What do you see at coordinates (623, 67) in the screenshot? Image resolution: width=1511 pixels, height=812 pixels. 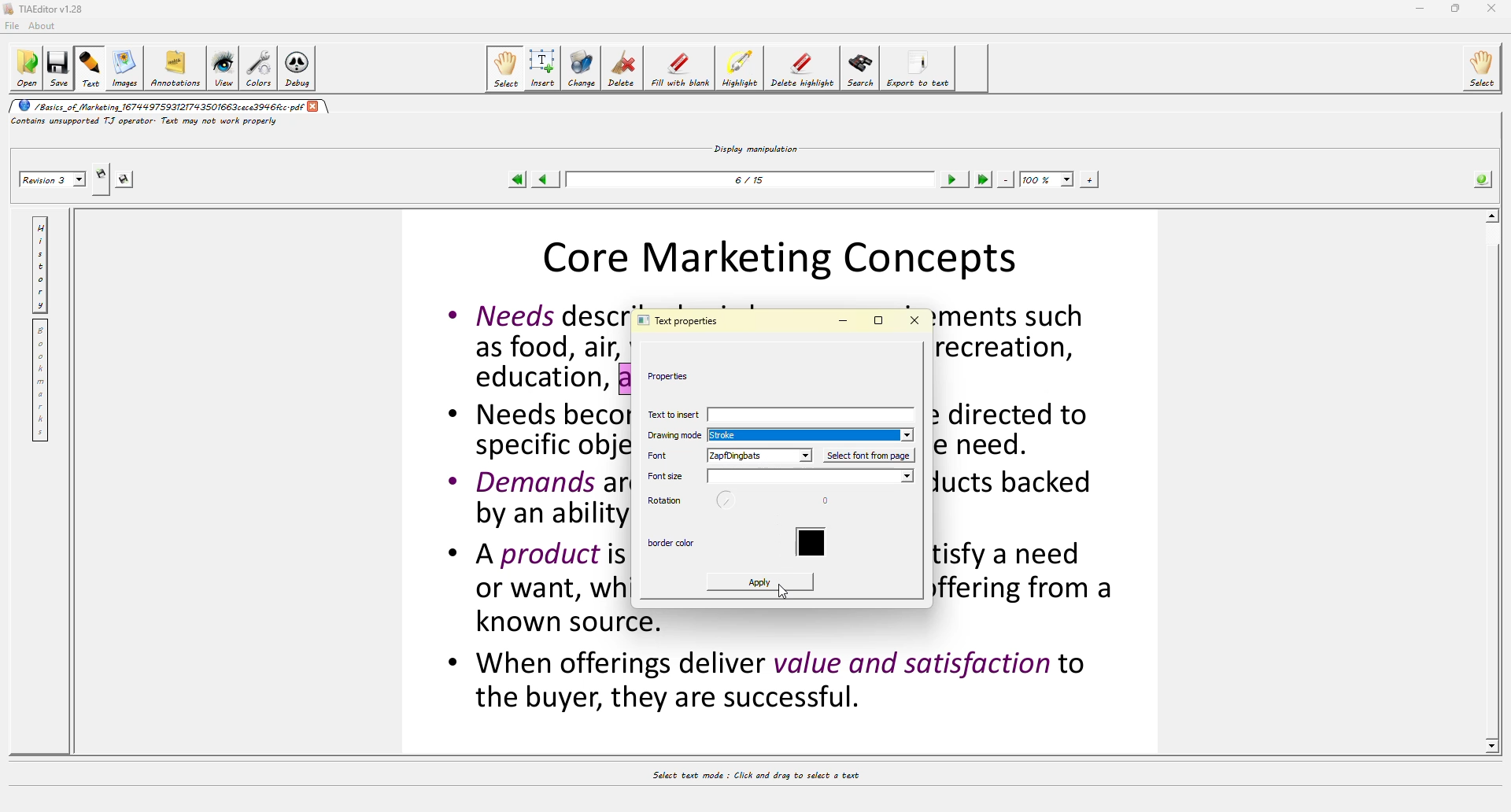 I see `delete` at bounding box center [623, 67].